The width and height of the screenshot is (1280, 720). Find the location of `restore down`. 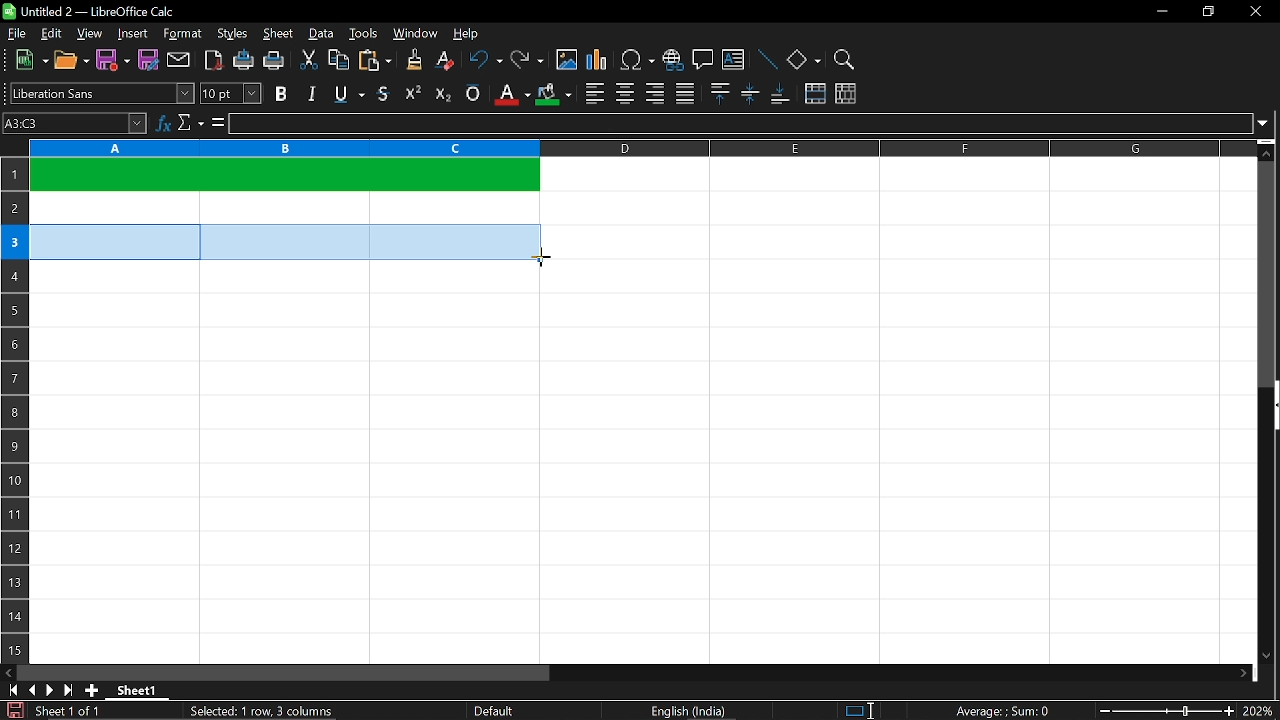

restore down is located at coordinates (1207, 10).